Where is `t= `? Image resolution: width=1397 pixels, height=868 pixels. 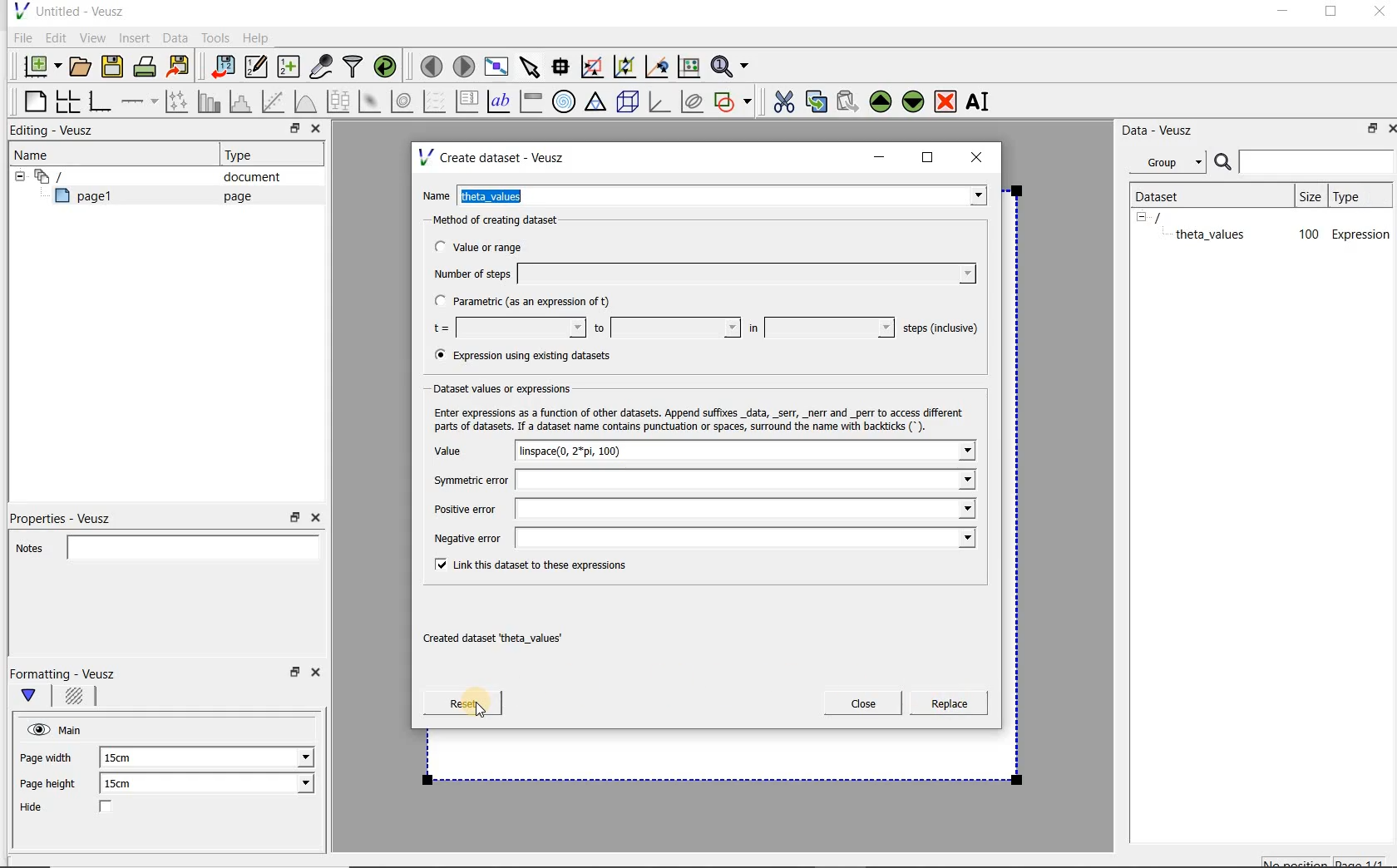
t=  is located at coordinates (506, 328).